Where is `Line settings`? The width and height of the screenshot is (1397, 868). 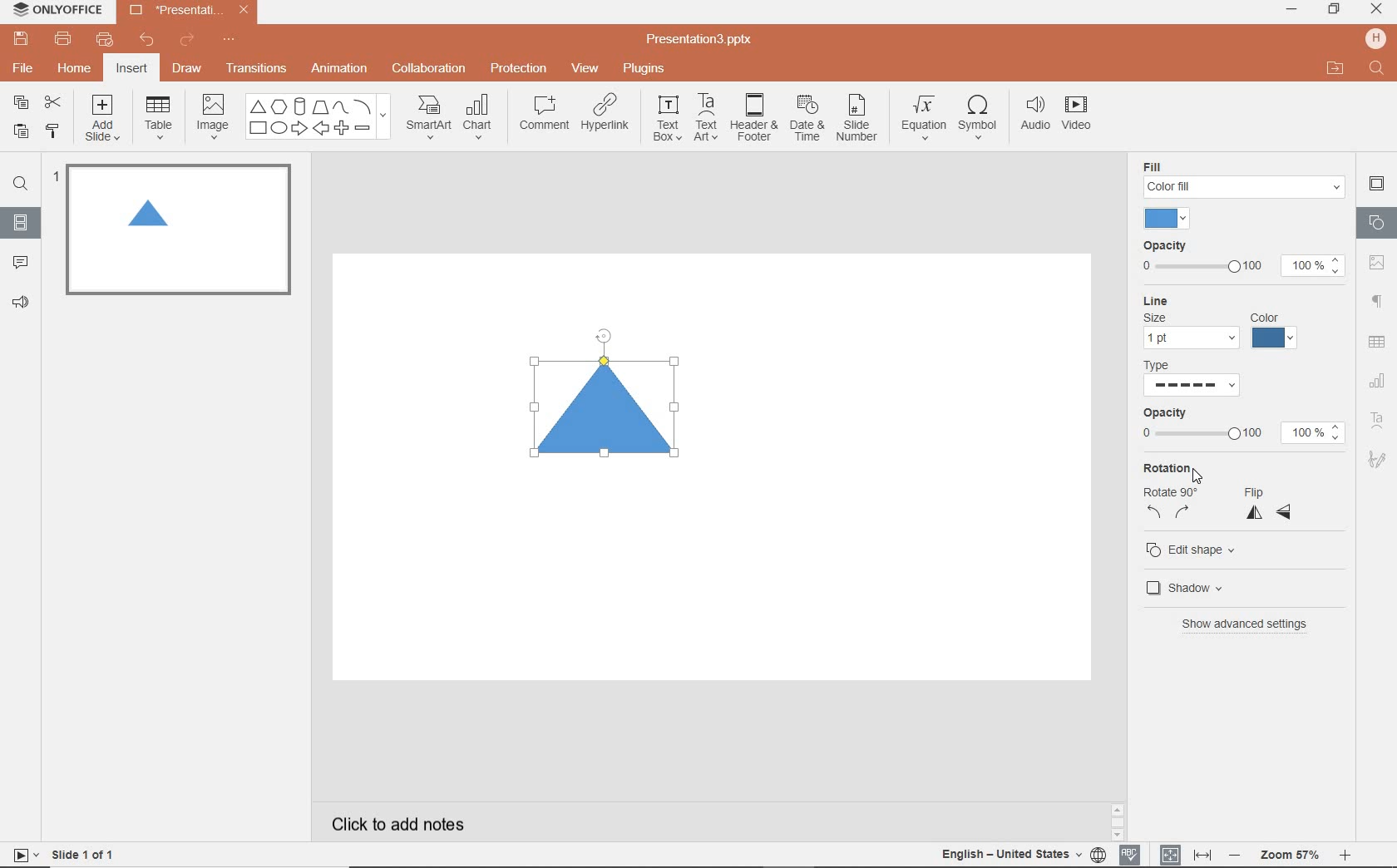
Line settings is located at coordinates (1220, 323).